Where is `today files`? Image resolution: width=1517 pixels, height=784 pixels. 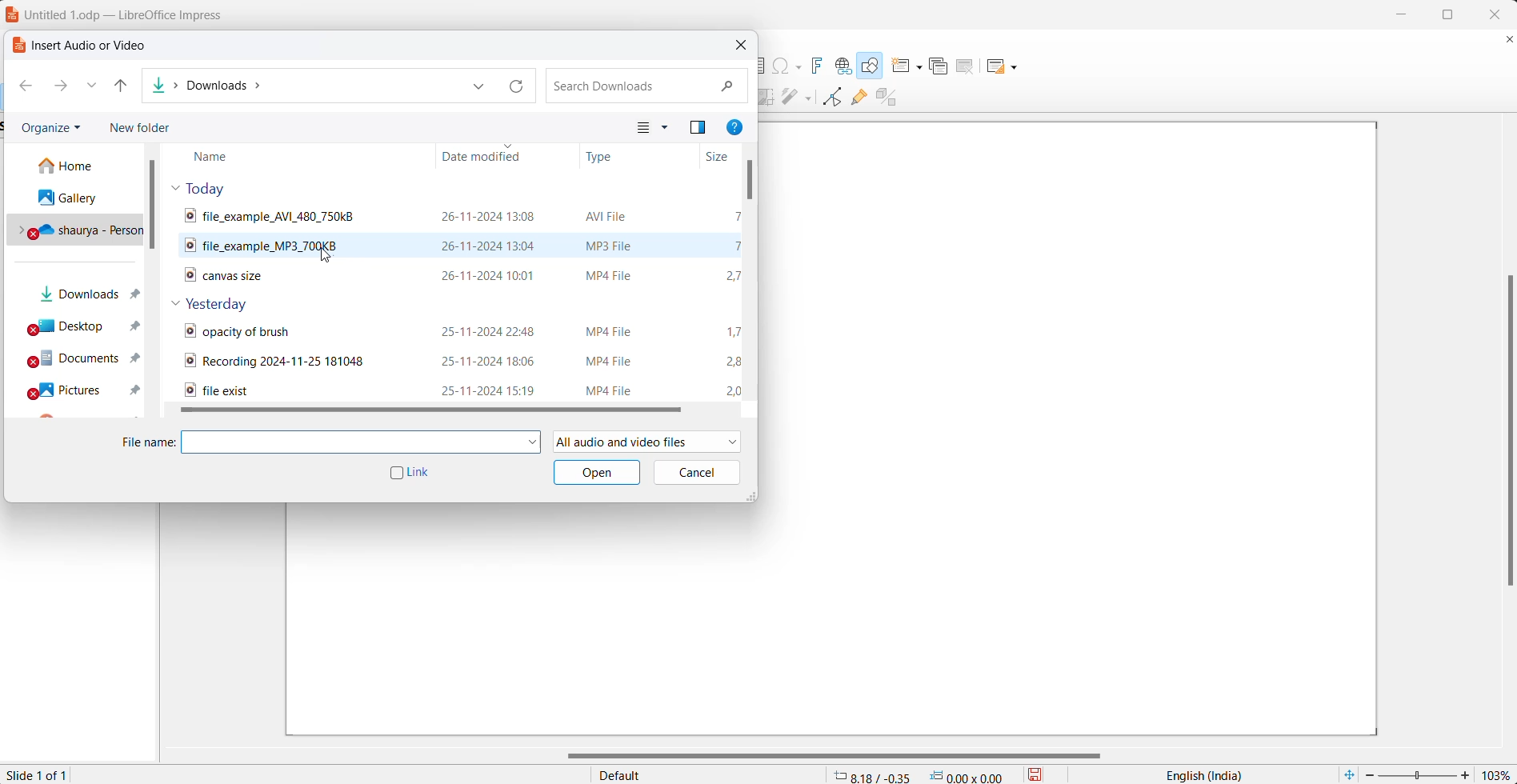 today files is located at coordinates (218, 187).